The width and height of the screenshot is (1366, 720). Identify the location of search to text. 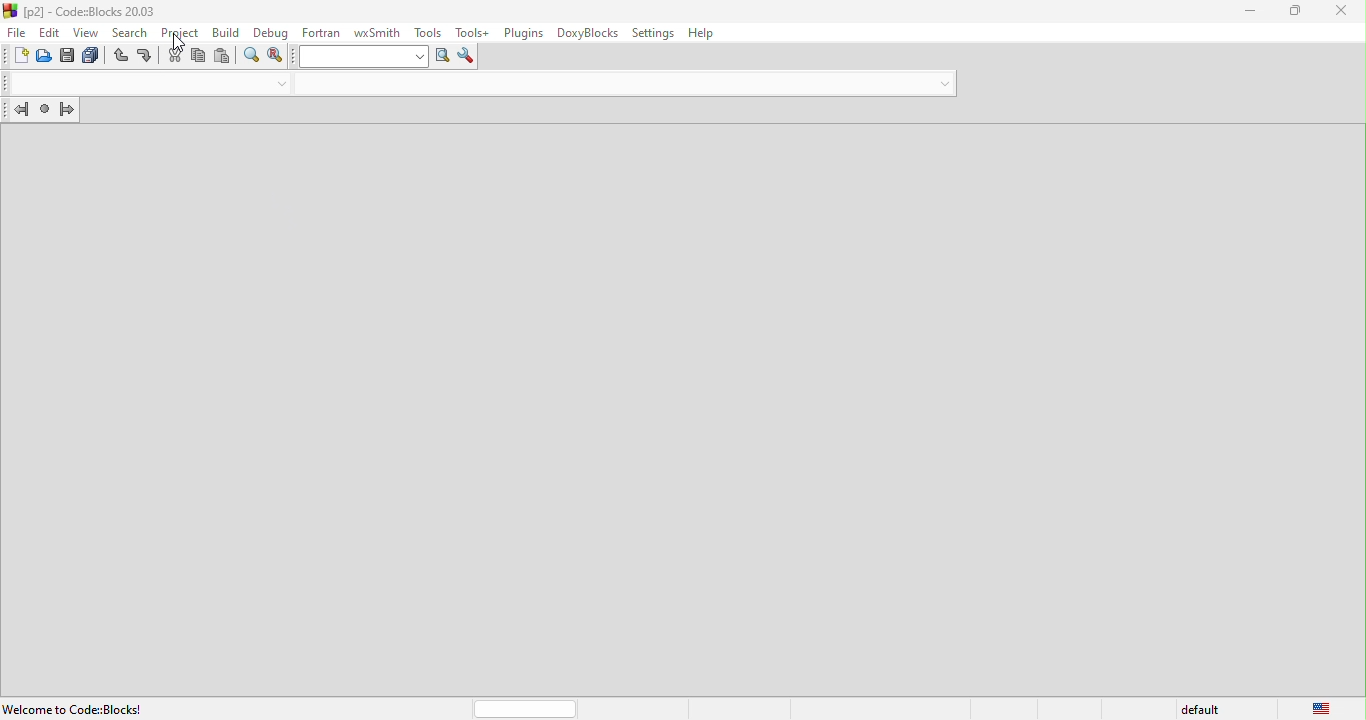
(359, 58).